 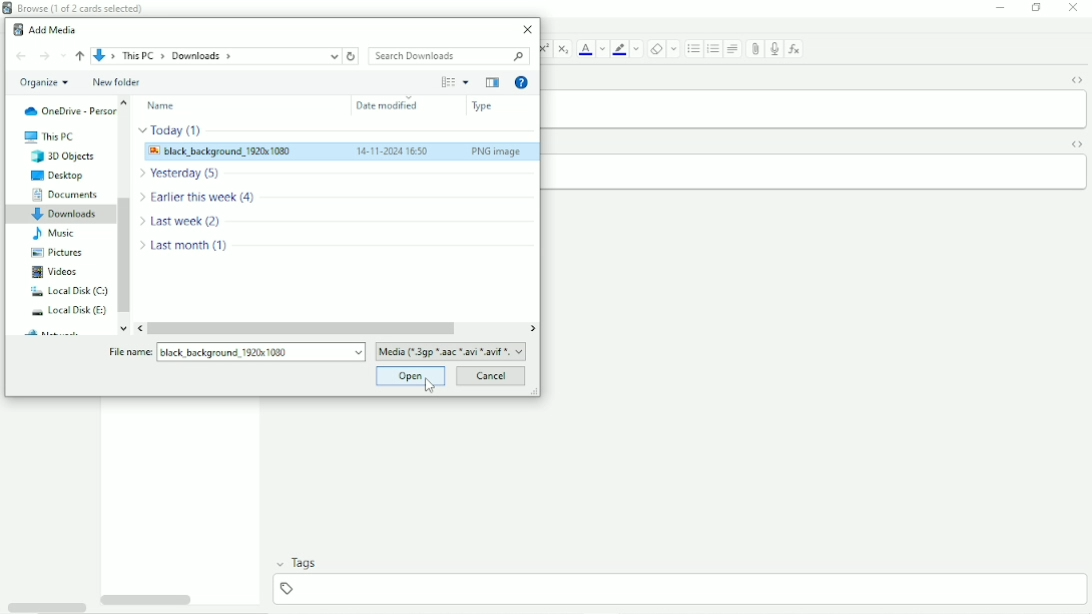 What do you see at coordinates (1080, 80) in the screenshot?
I see `Toggle HTML Editor` at bounding box center [1080, 80].